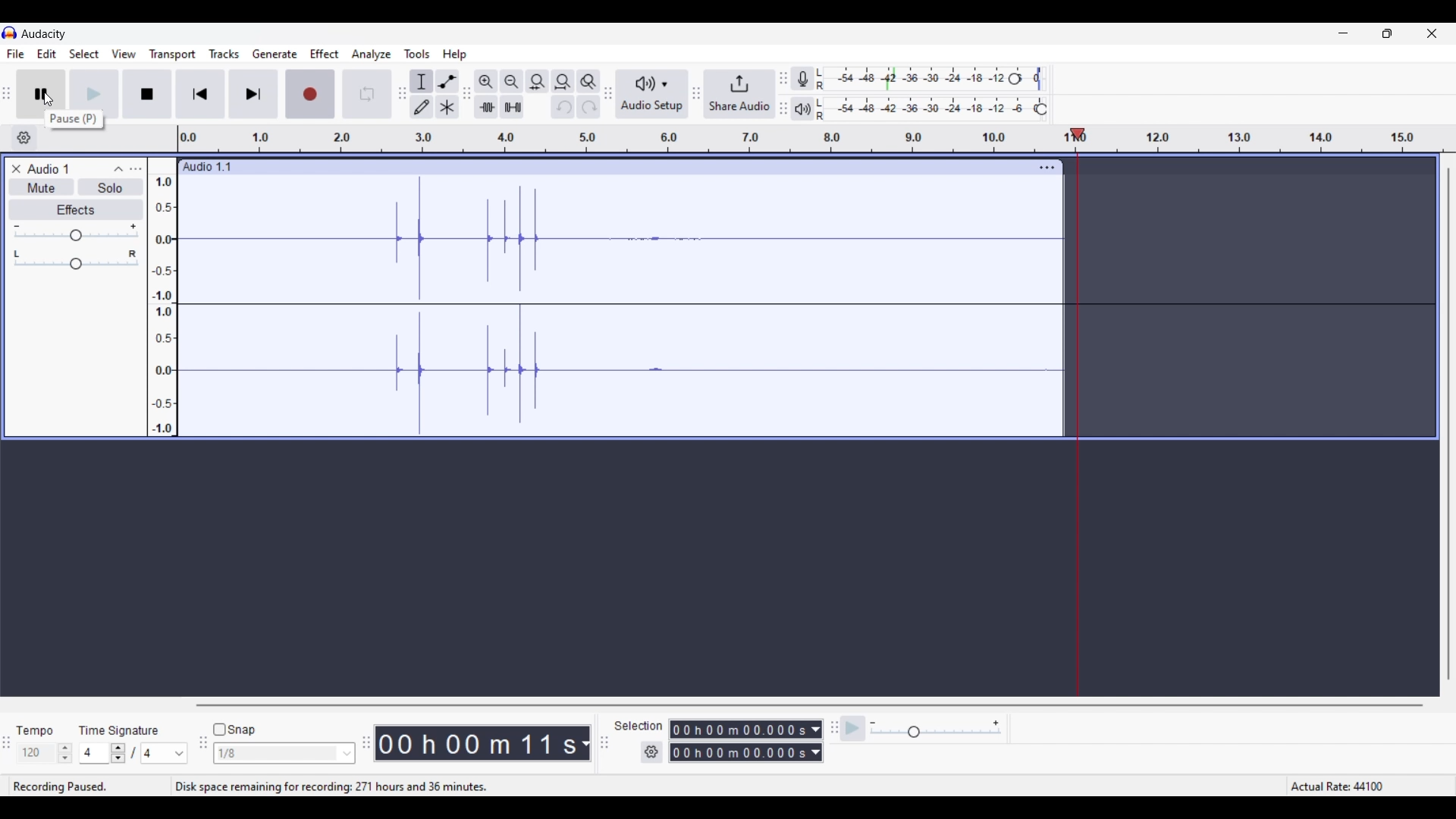  I want to click on Time Signature, so click(125, 728).